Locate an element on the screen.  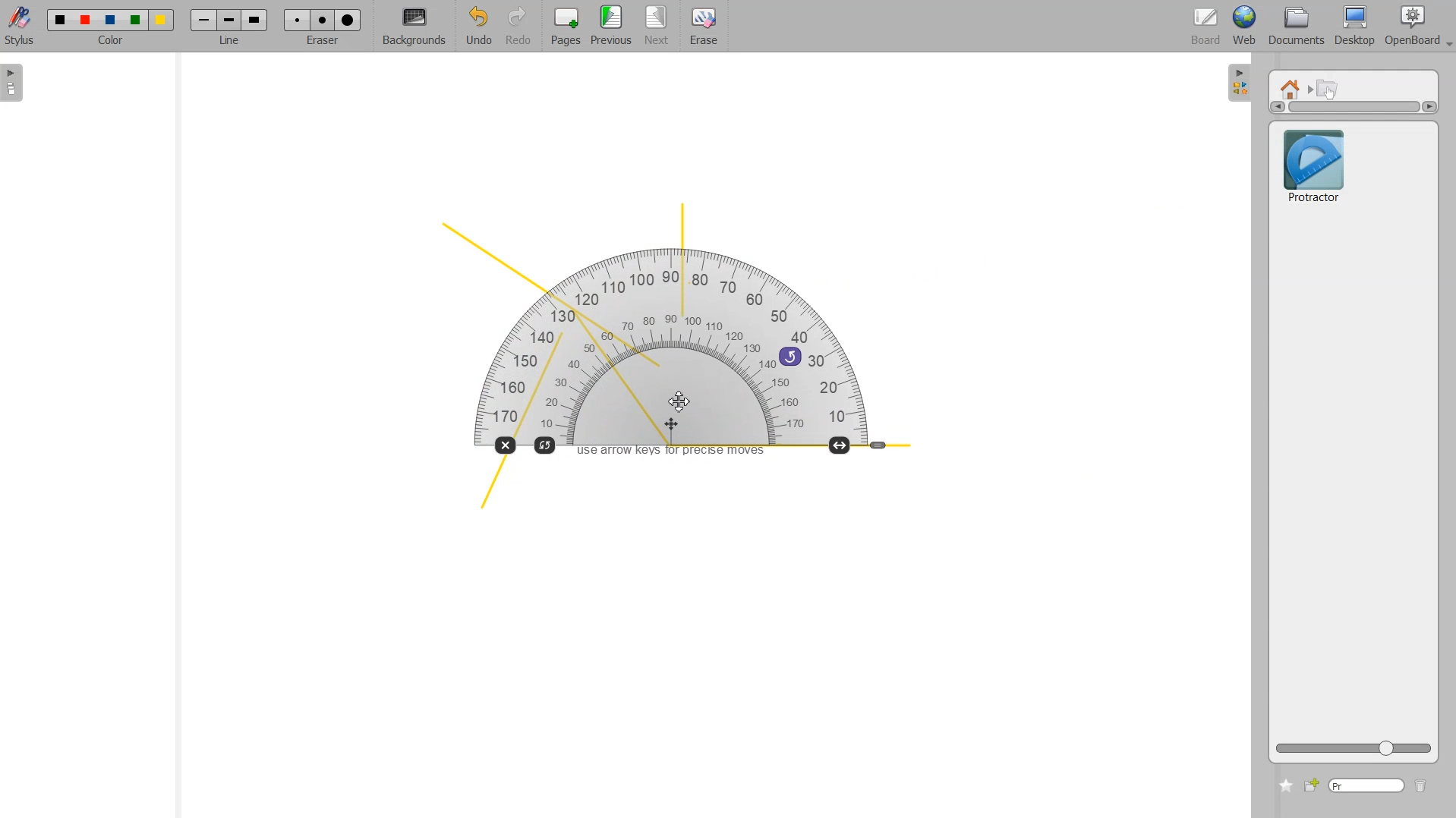
Desktop is located at coordinates (1354, 27).